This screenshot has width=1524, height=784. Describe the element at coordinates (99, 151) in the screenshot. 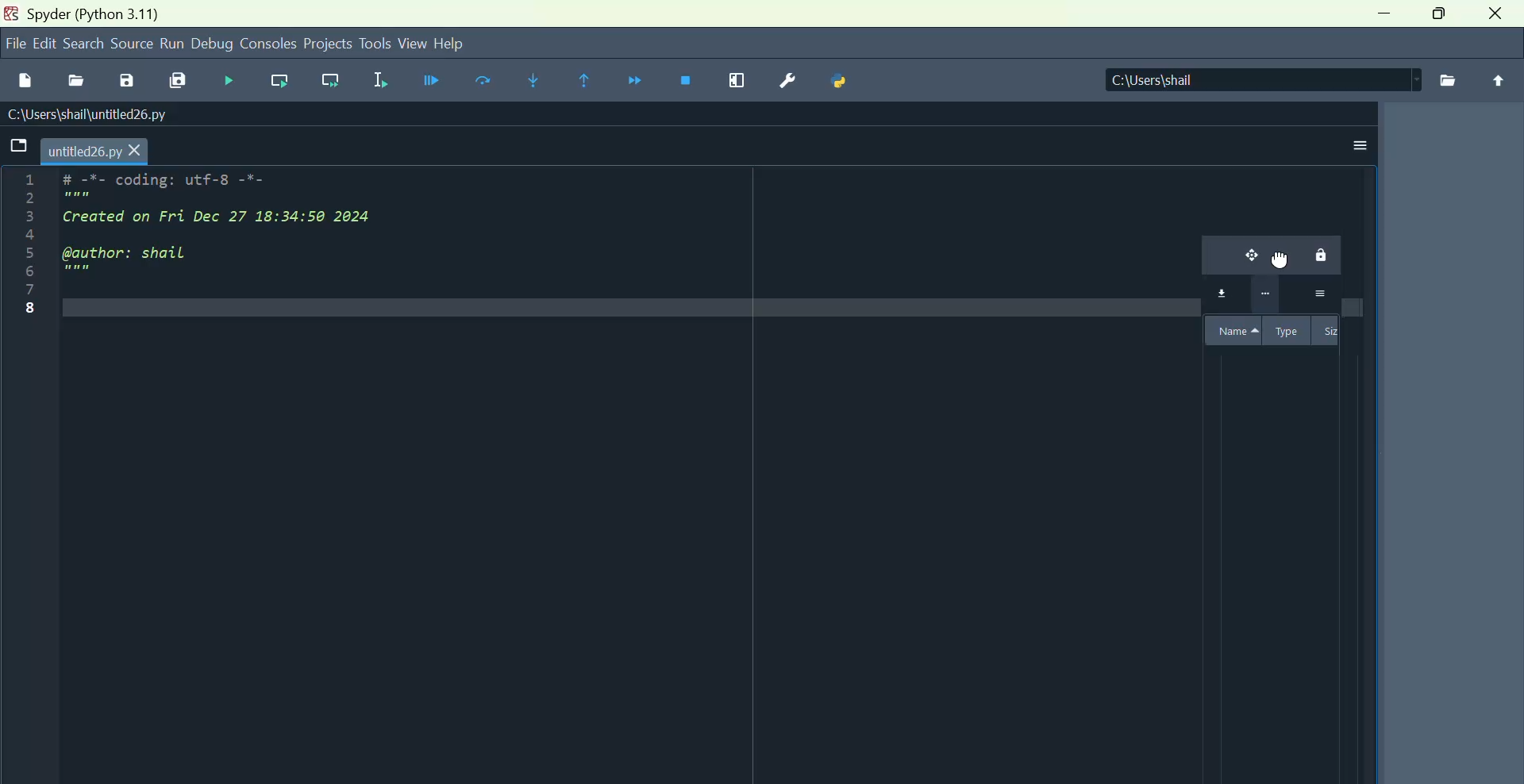

I see `untitled26.py ` at that location.